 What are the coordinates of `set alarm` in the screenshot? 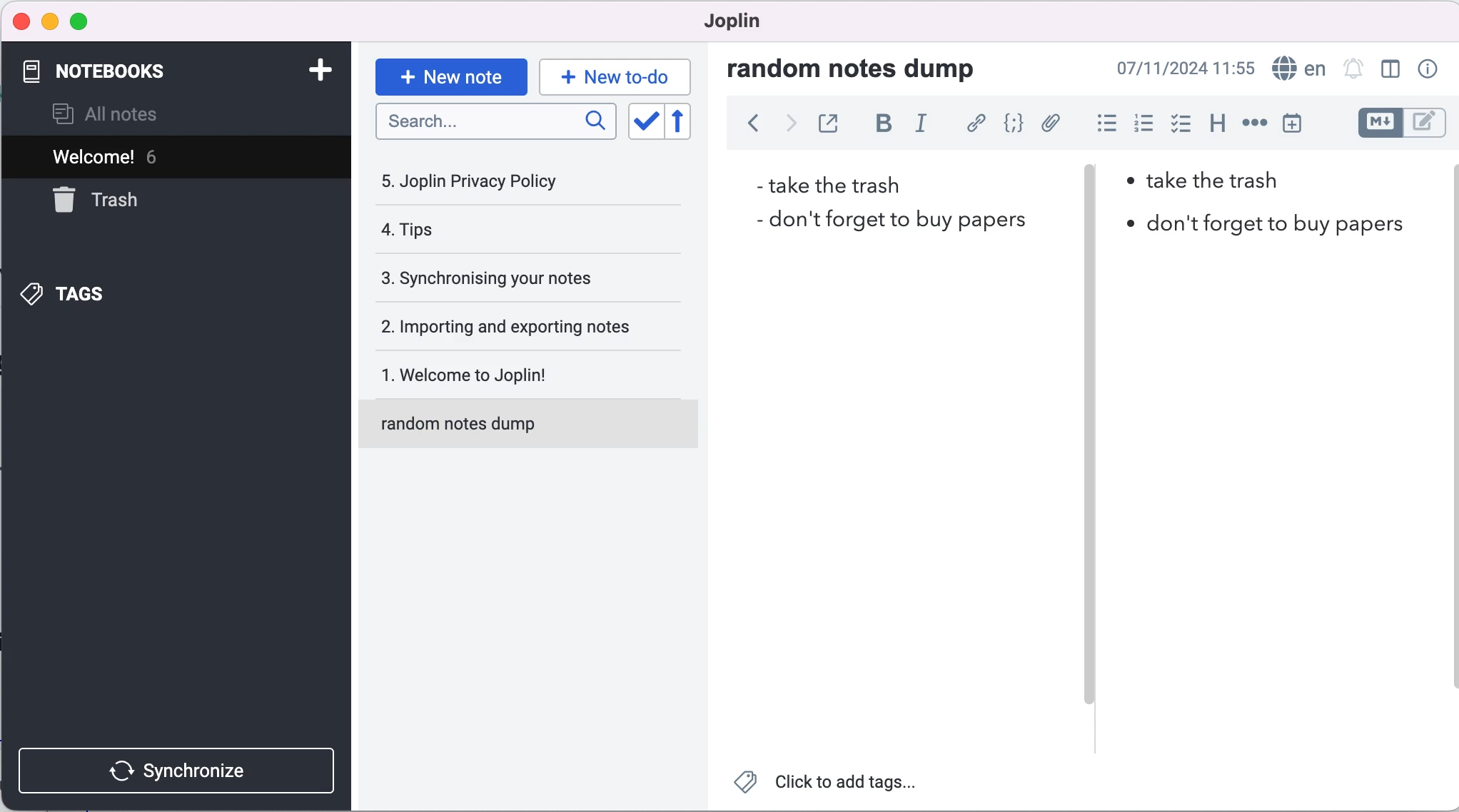 It's located at (1353, 70).